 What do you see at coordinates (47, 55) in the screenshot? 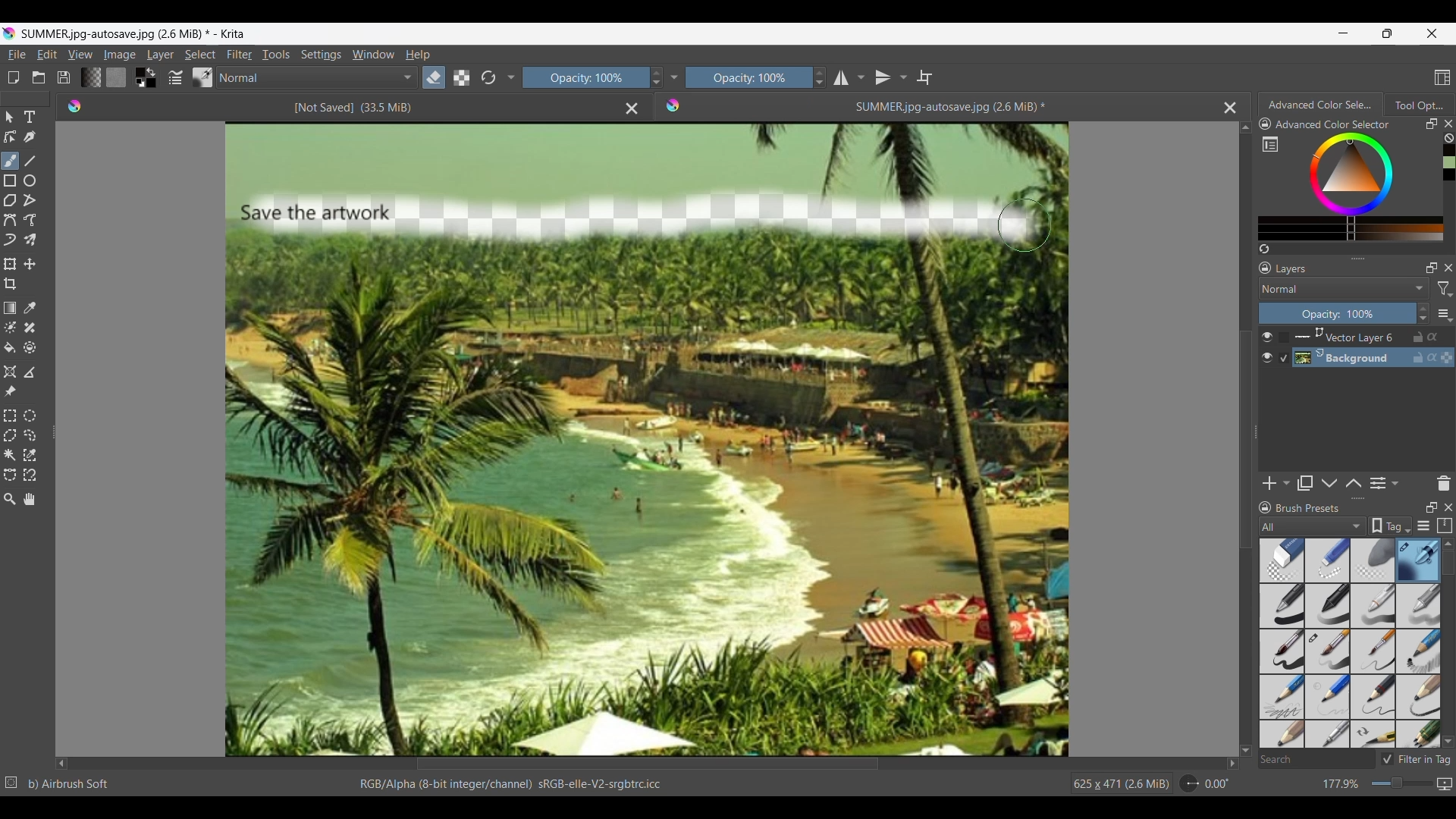
I see `Edit` at bounding box center [47, 55].